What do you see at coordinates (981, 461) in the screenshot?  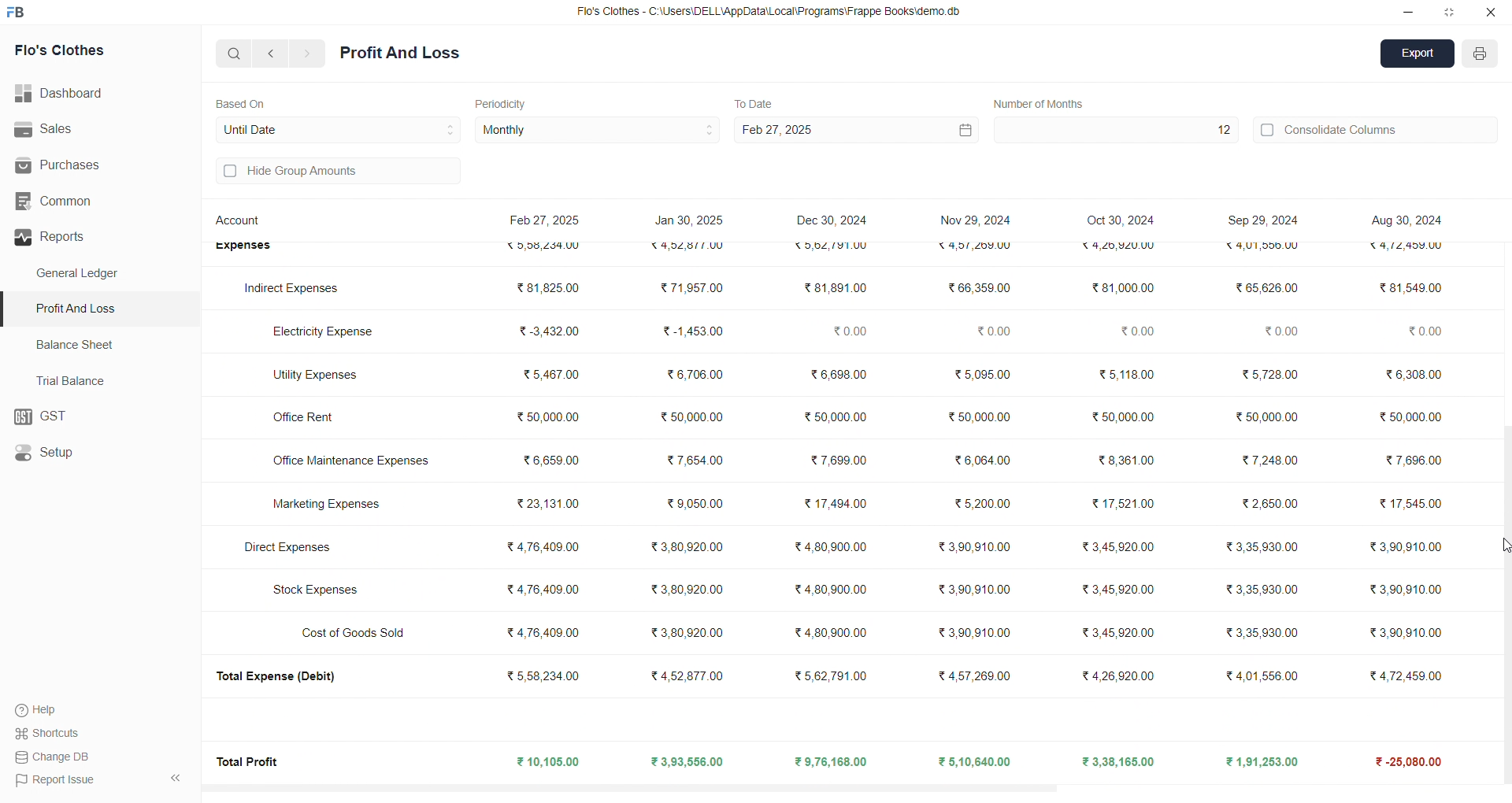 I see `₹6,064.00` at bounding box center [981, 461].